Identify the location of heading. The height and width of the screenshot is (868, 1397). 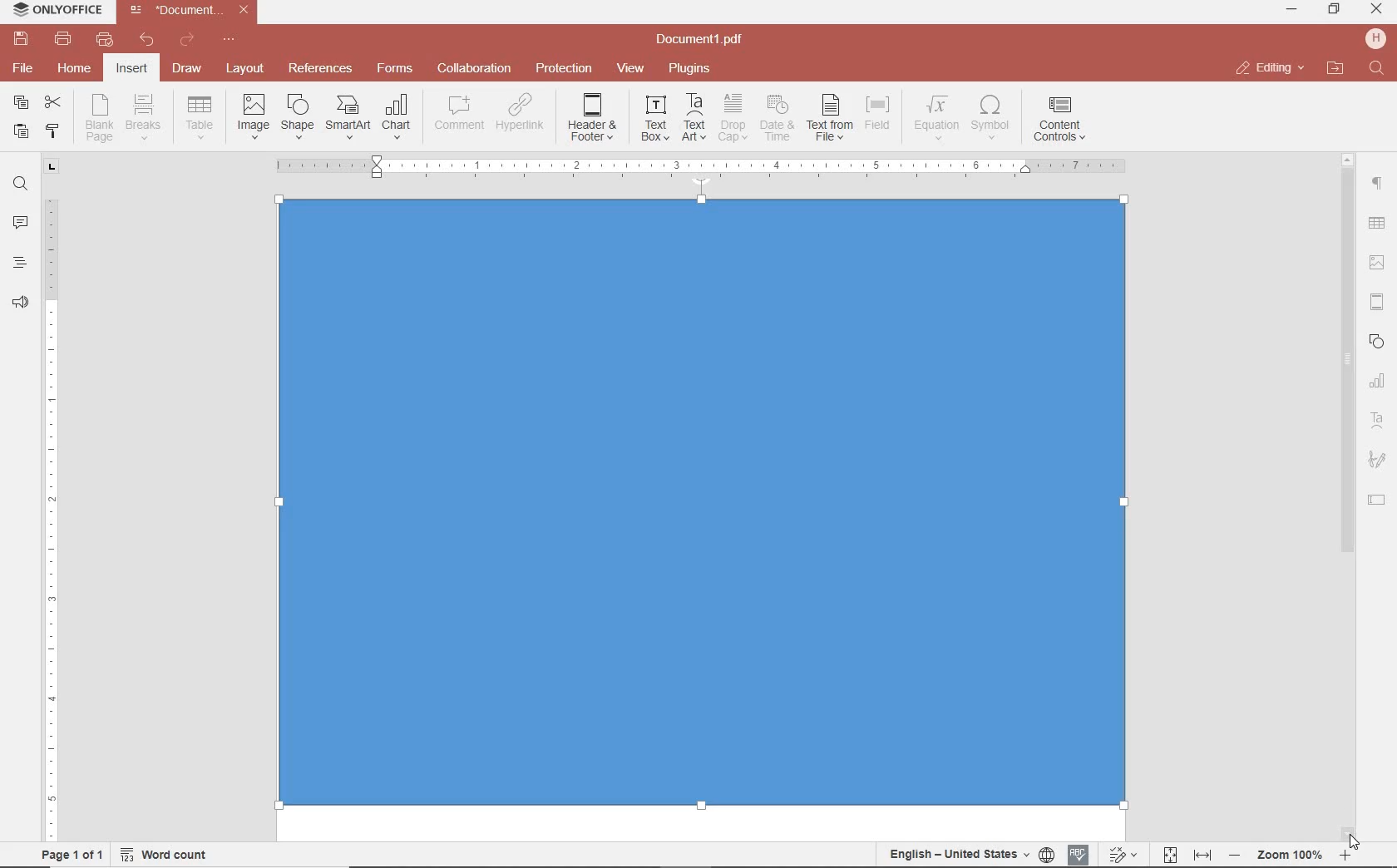
(20, 262).